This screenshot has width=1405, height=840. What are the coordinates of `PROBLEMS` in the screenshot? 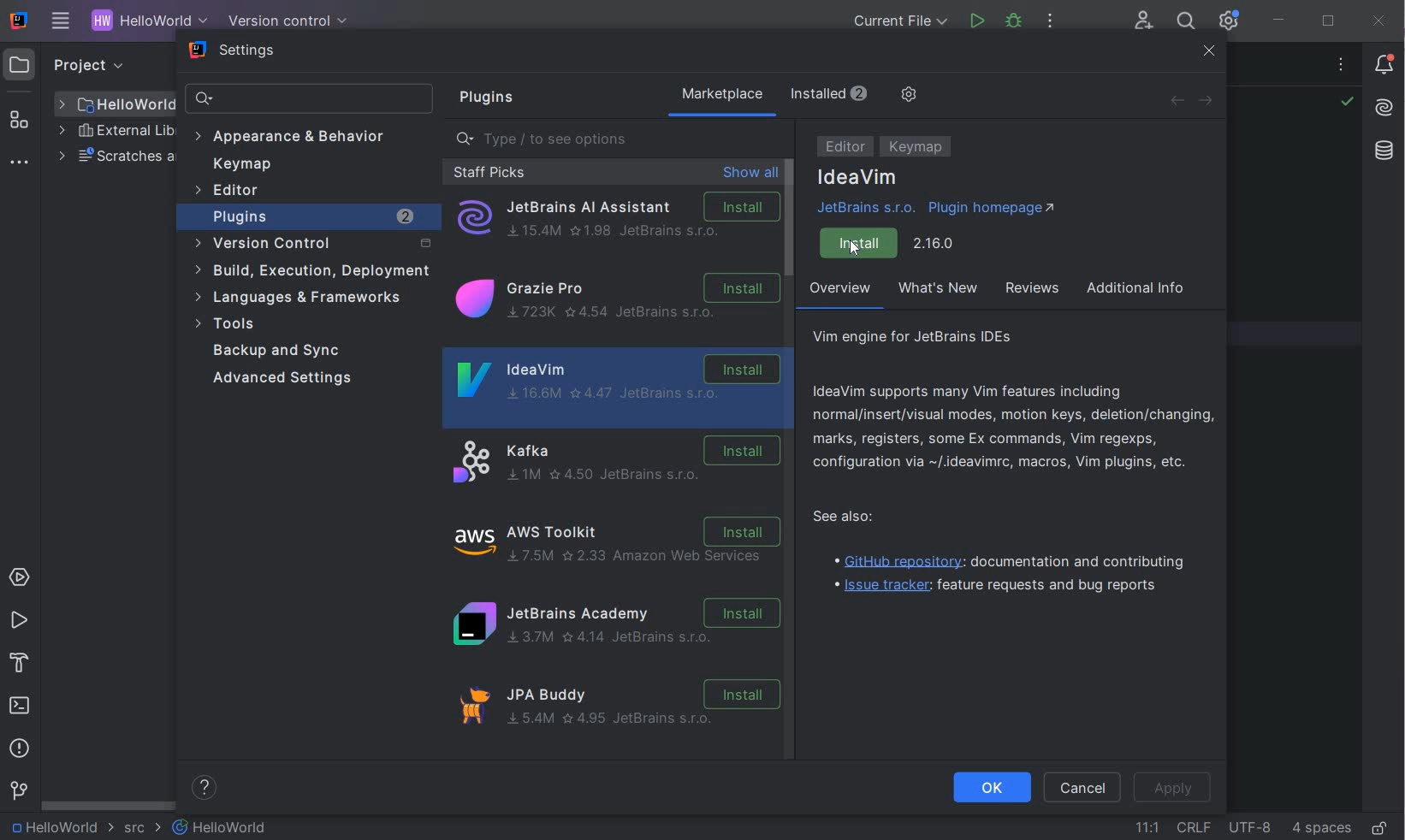 It's located at (20, 751).